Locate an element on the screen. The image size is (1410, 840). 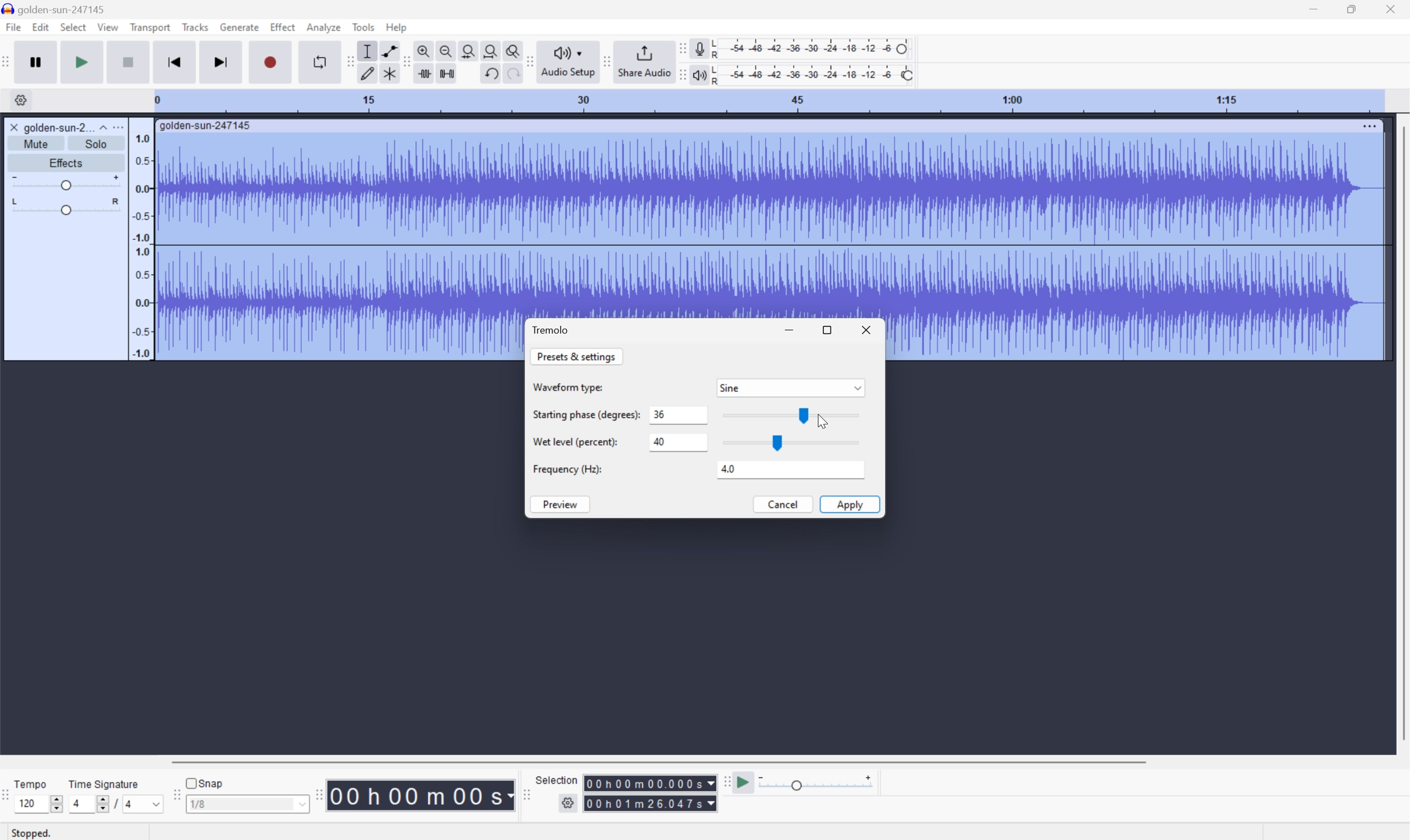
Waveform Type: is located at coordinates (571, 387).